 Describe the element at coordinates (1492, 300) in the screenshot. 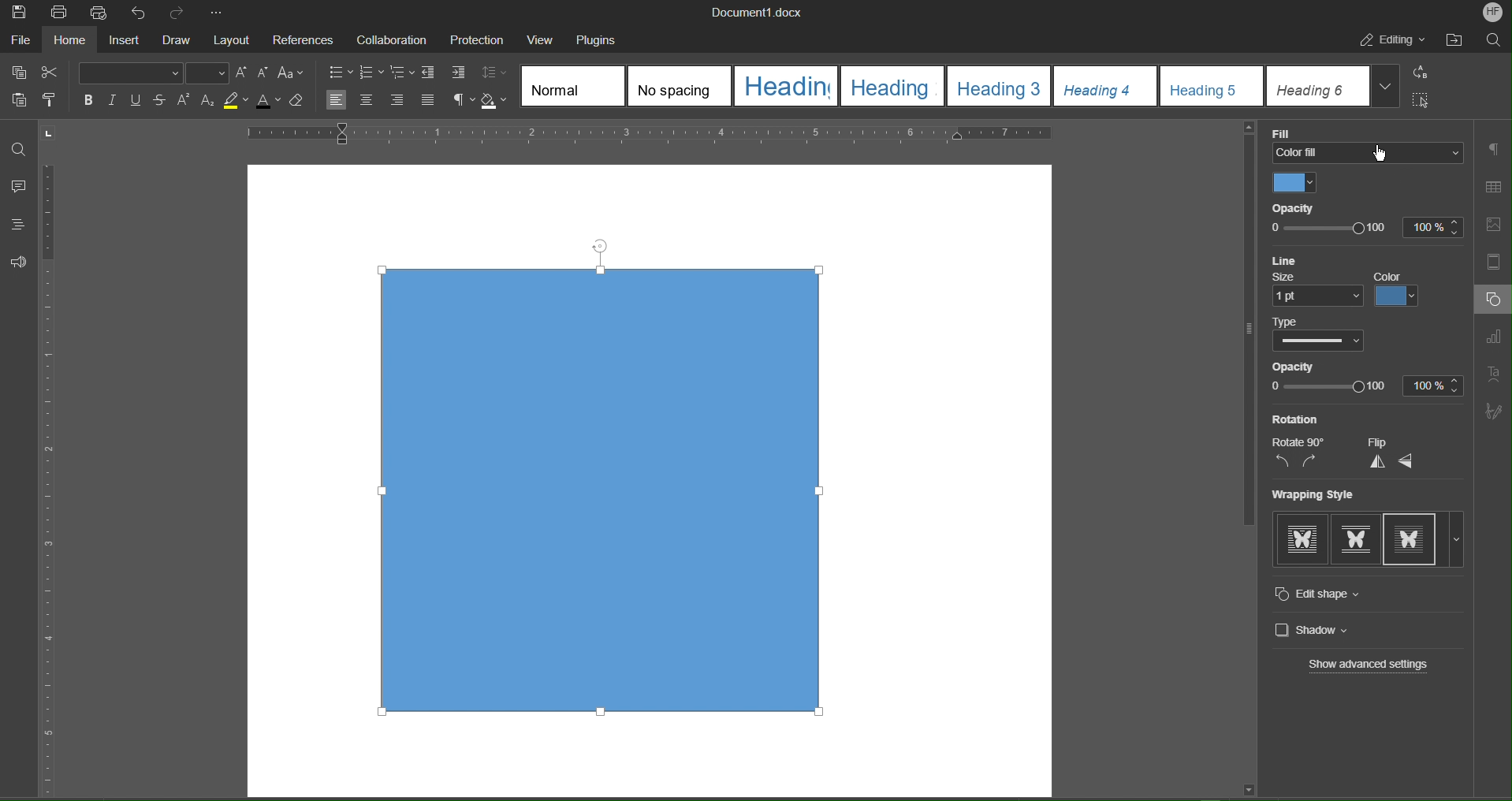

I see `Shape Settings` at that location.